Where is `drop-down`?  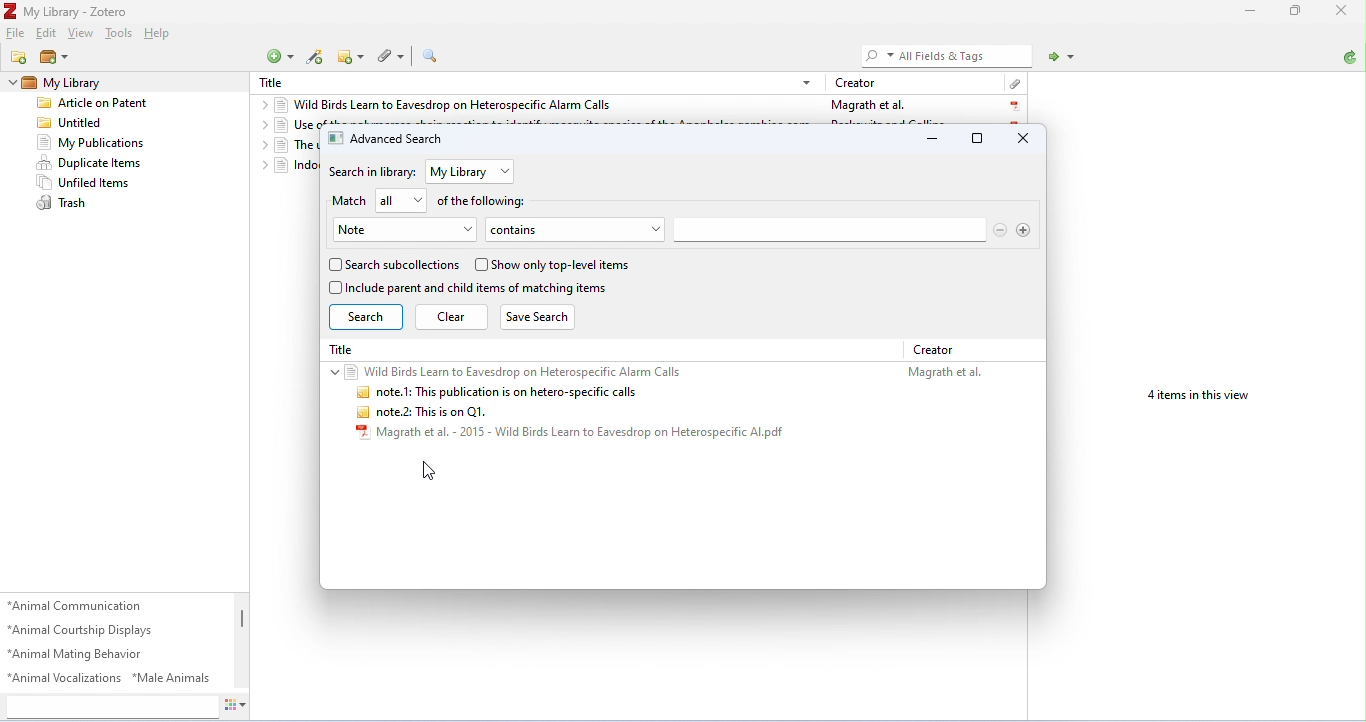 drop-down is located at coordinates (419, 200).